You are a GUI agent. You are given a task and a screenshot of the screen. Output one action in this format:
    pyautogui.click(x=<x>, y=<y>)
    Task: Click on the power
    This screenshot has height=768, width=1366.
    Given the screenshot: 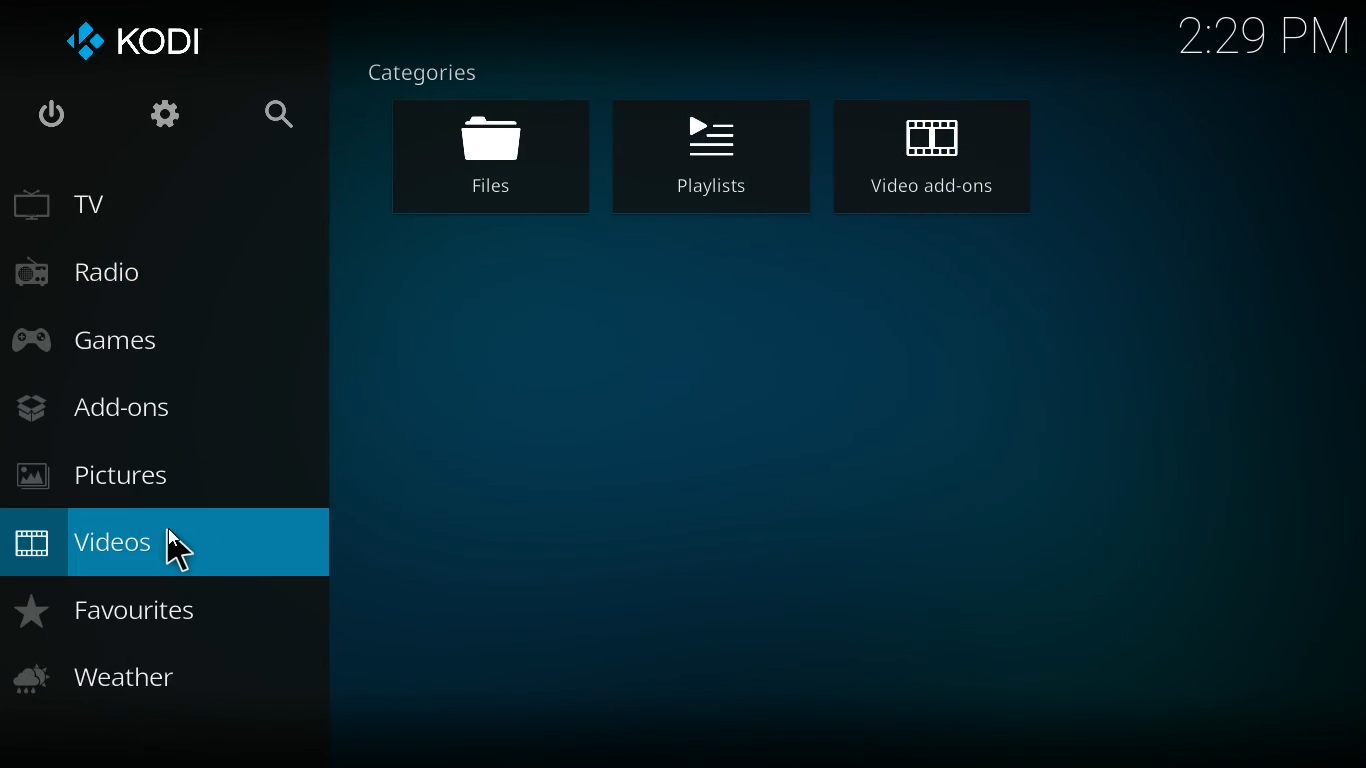 What is the action you would take?
    pyautogui.click(x=50, y=116)
    